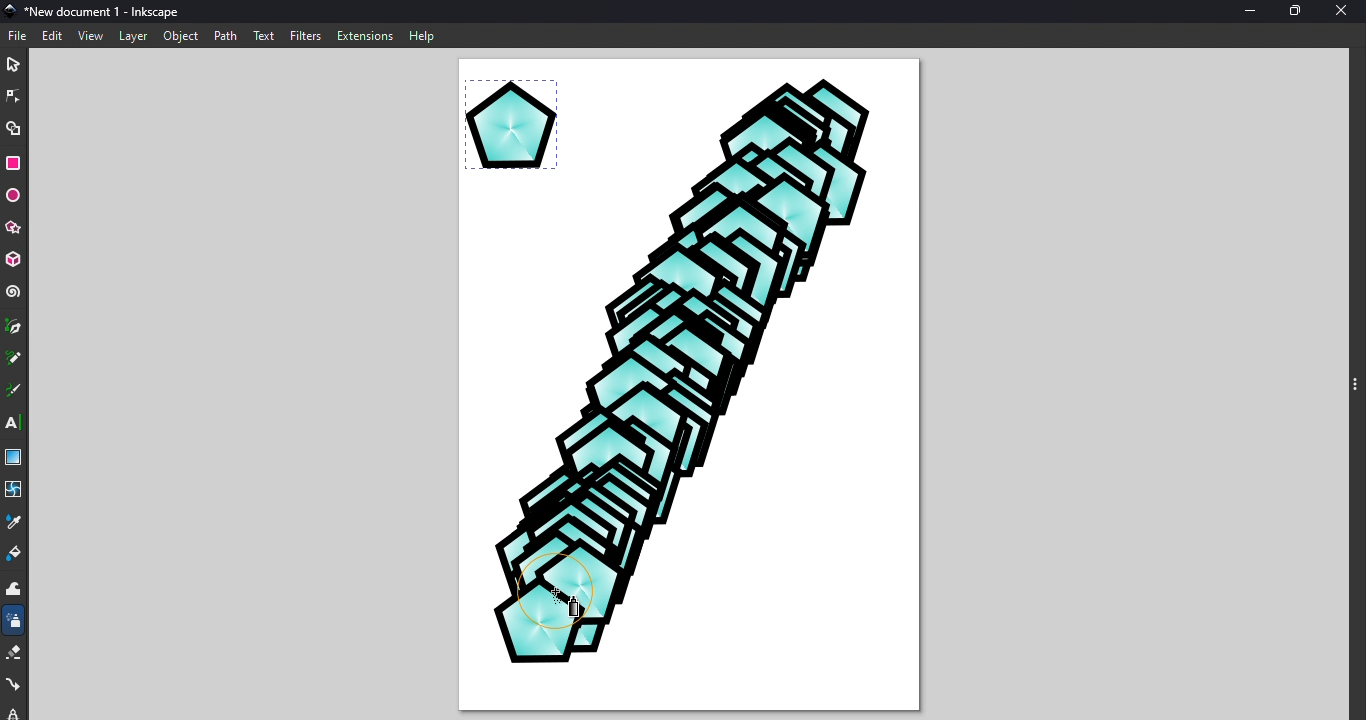  What do you see at coordinates (88, 36) in the screenshot?
I see `View` at bounding box center [88, 36].